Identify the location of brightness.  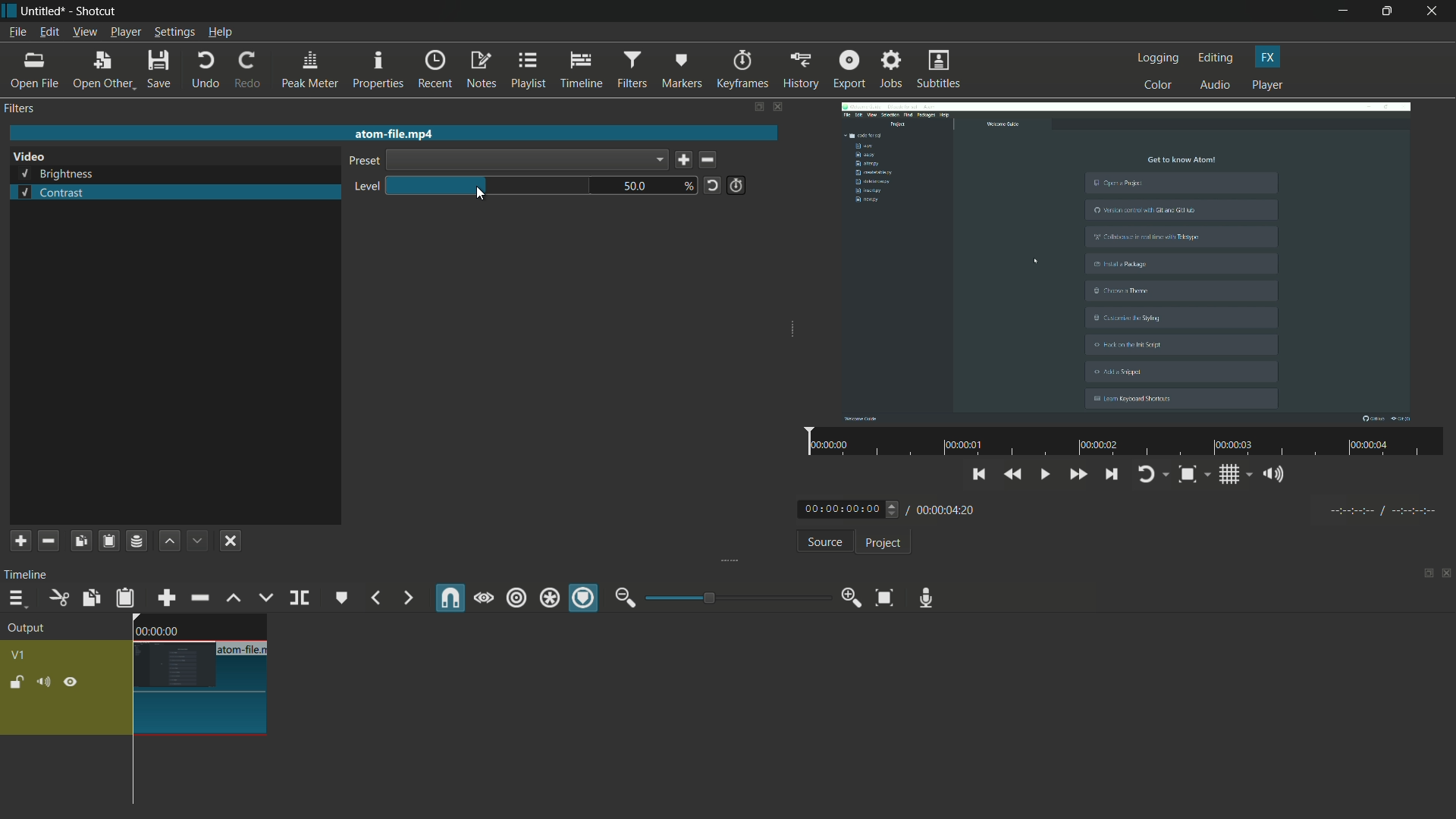
(58, 174).